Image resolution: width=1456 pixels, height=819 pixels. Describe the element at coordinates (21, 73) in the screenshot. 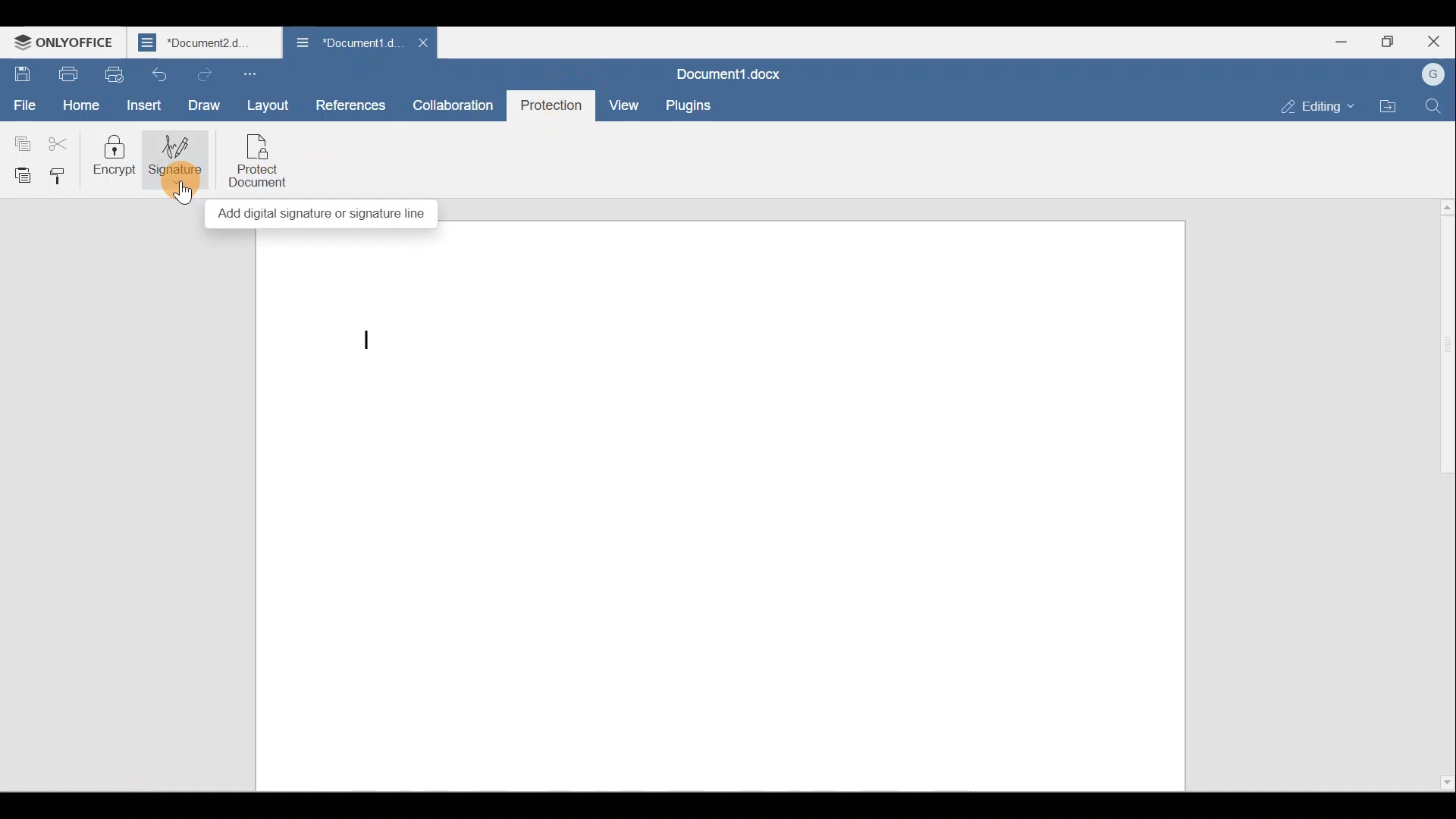

I see `Save` at that location.